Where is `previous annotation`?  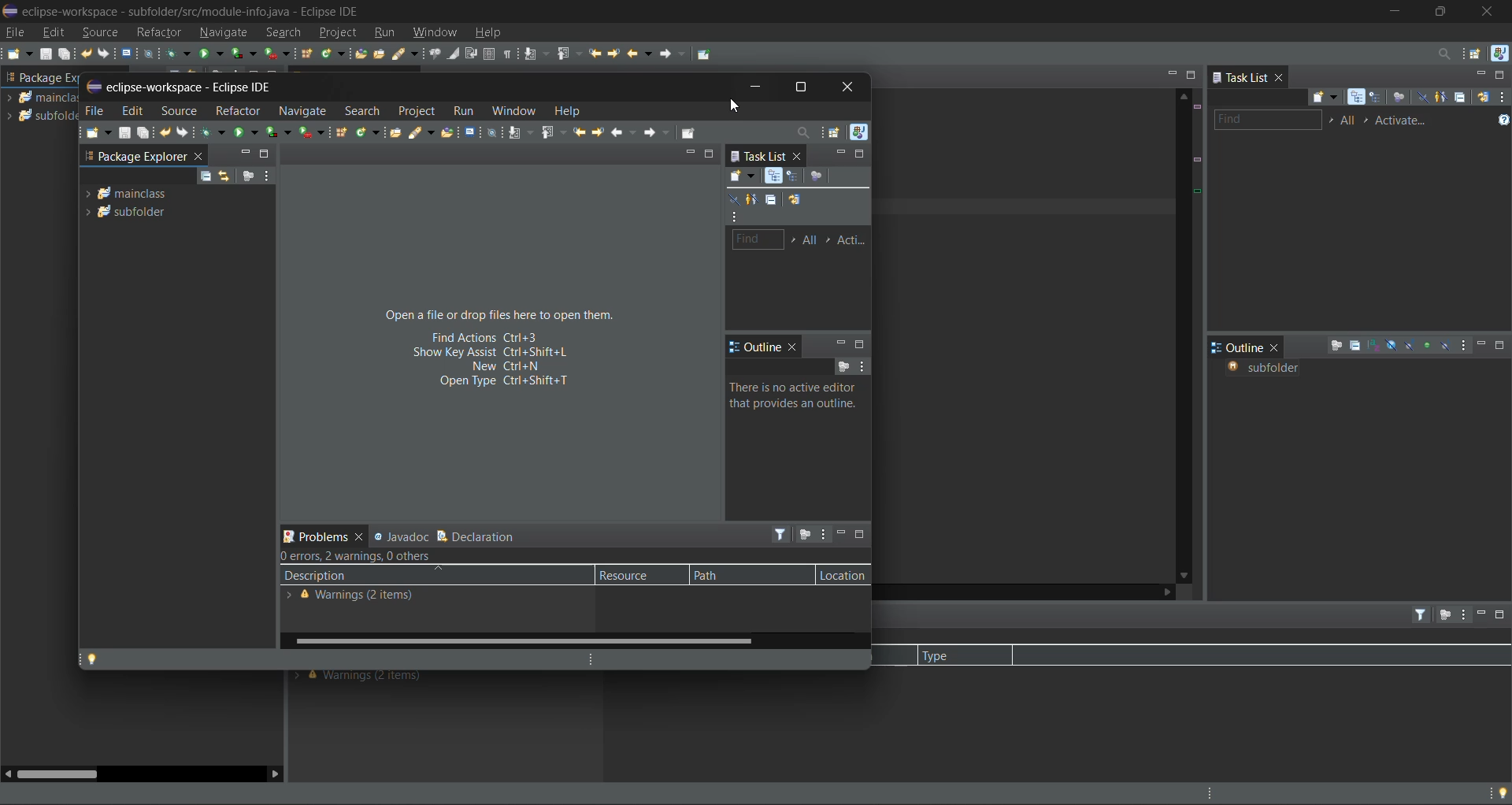 previous annotation is located at coordinates (557, 134).